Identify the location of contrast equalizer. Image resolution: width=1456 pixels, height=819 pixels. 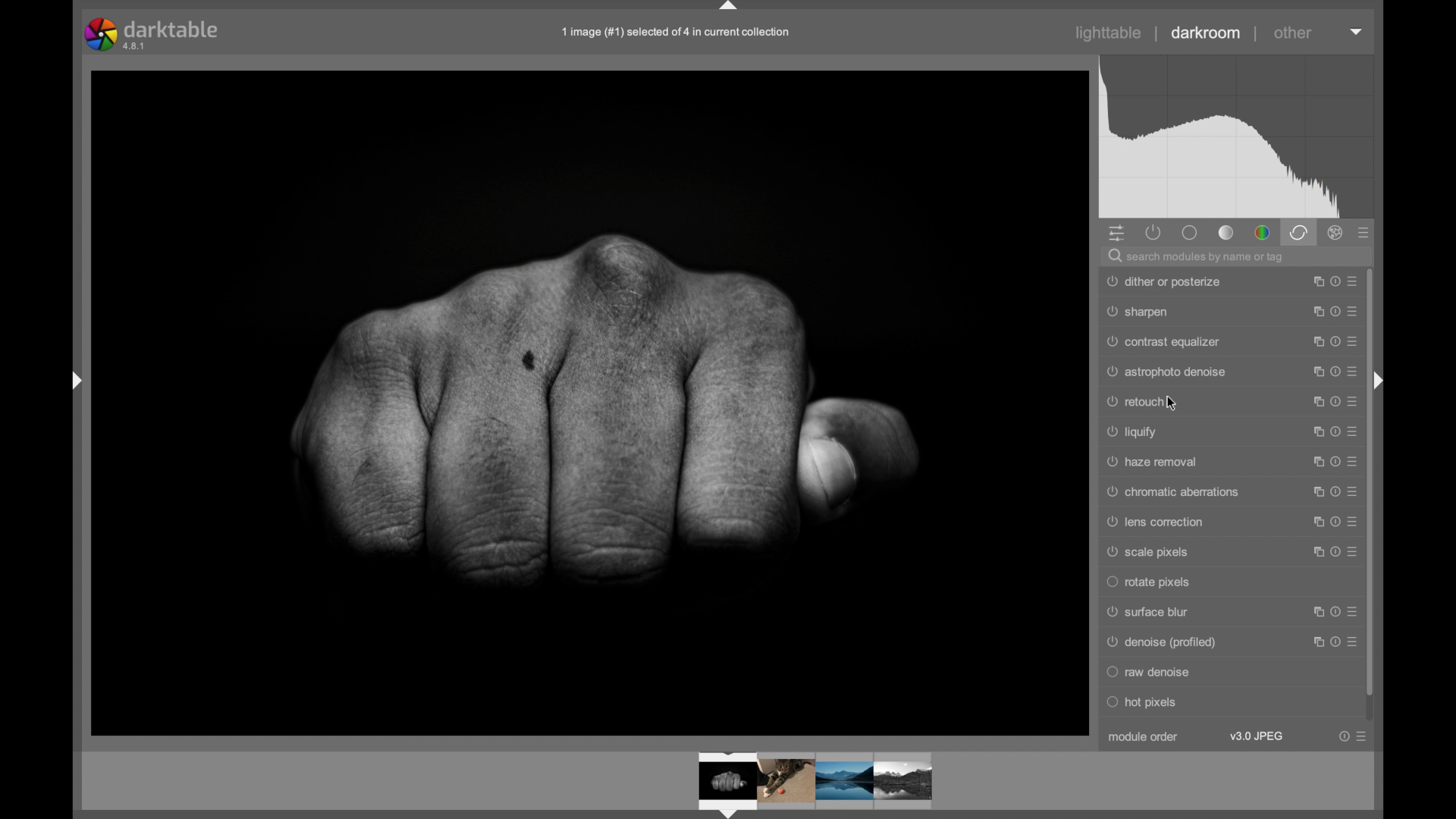
(1164, 342).